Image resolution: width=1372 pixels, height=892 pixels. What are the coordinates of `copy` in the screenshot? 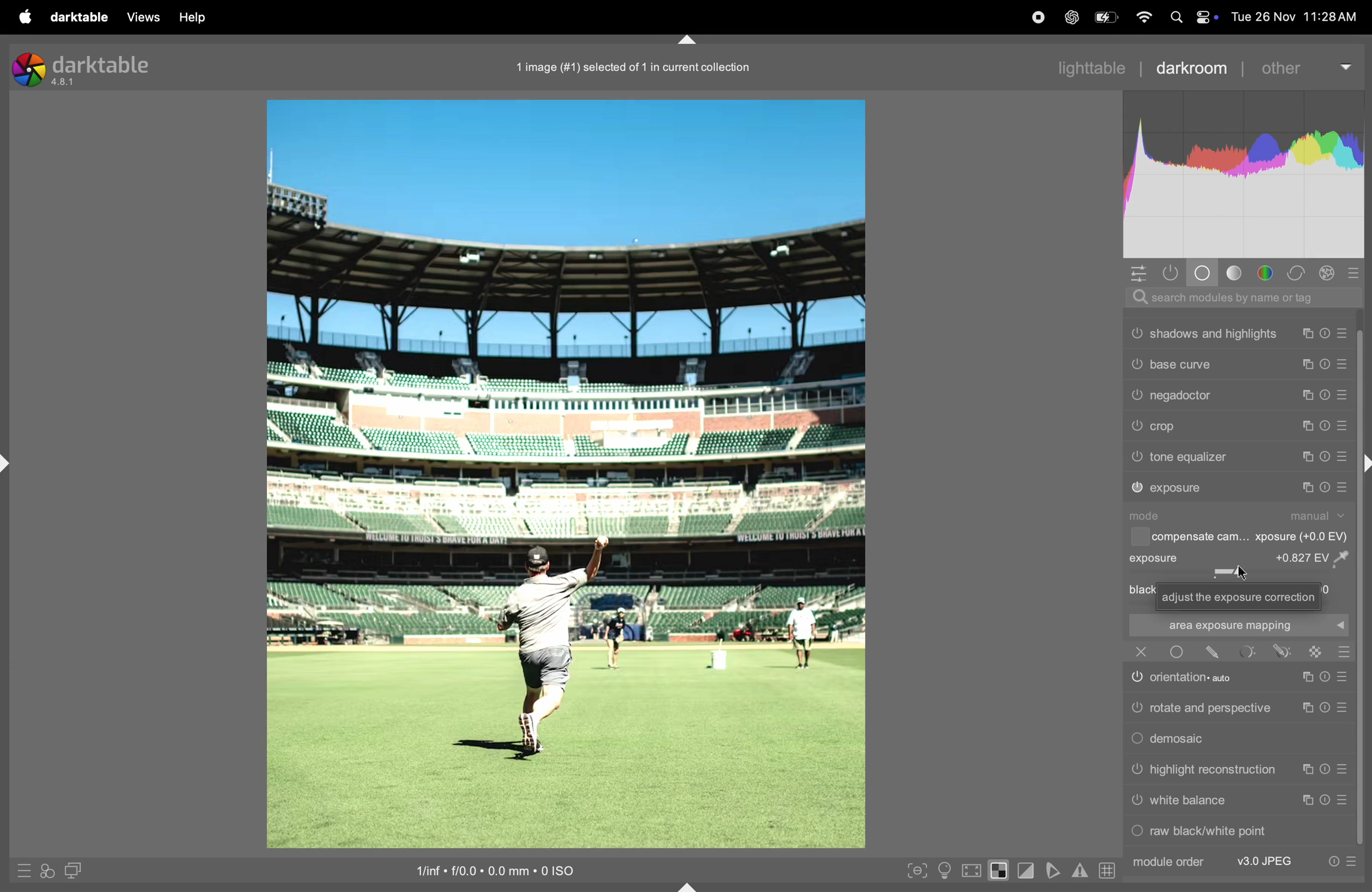 It's located at (1305, 487).